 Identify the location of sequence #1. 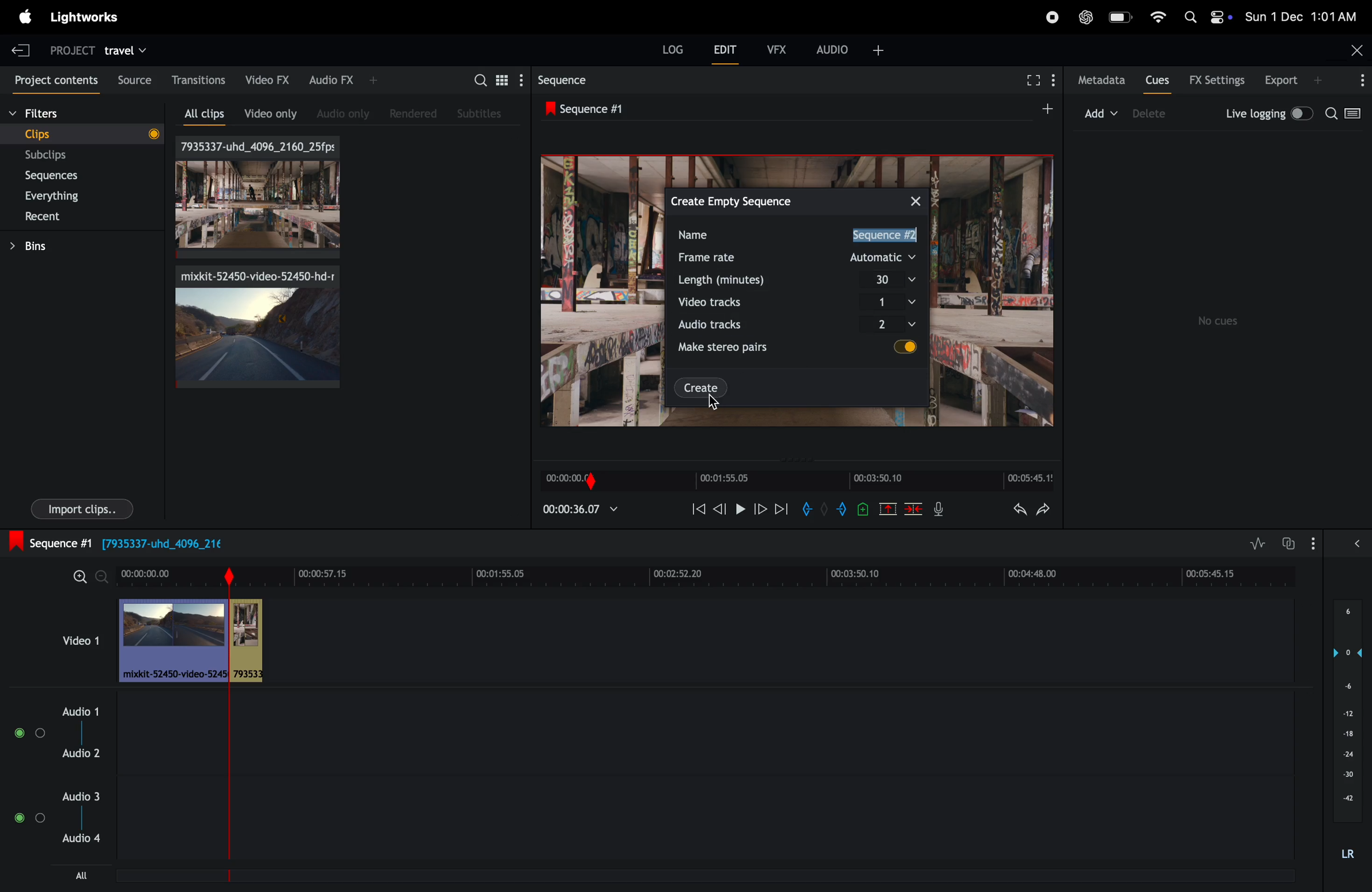
(886, 235).